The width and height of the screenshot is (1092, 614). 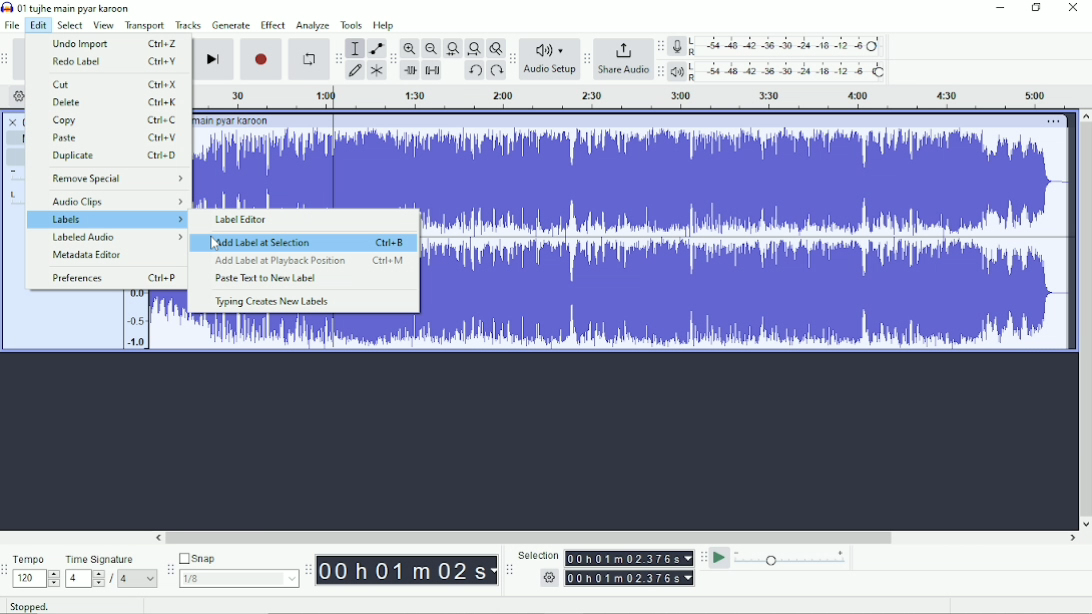 I want to click on Skip to end, so click(x=213, y=59).